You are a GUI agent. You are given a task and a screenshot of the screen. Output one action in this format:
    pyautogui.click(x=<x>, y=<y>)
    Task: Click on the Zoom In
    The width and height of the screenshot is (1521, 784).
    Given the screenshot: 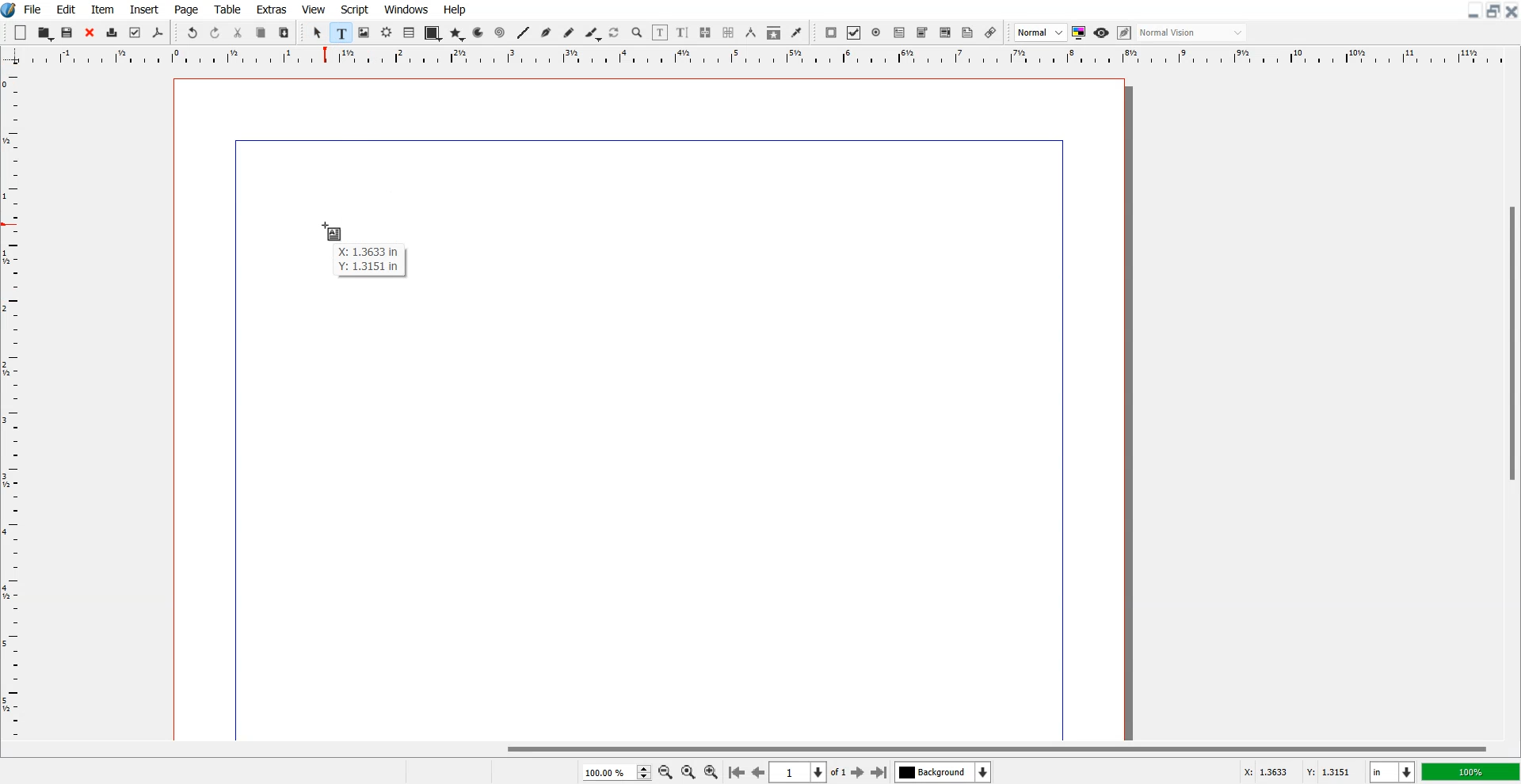 What is the action you would take?
    pyautogui.click(x=711, y=771)
    